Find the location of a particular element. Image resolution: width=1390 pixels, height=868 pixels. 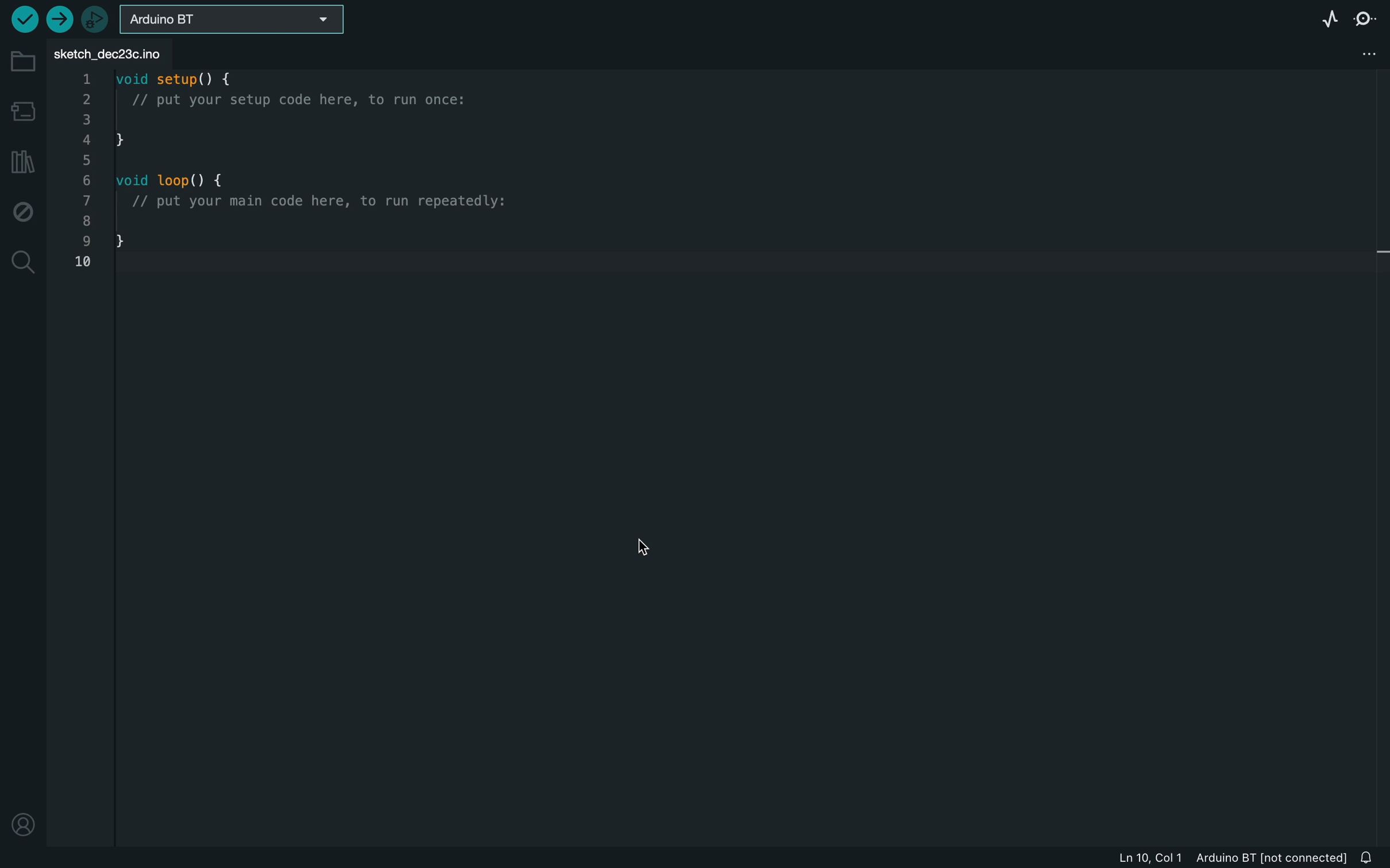

file tab is located at coordinates (133, 55).